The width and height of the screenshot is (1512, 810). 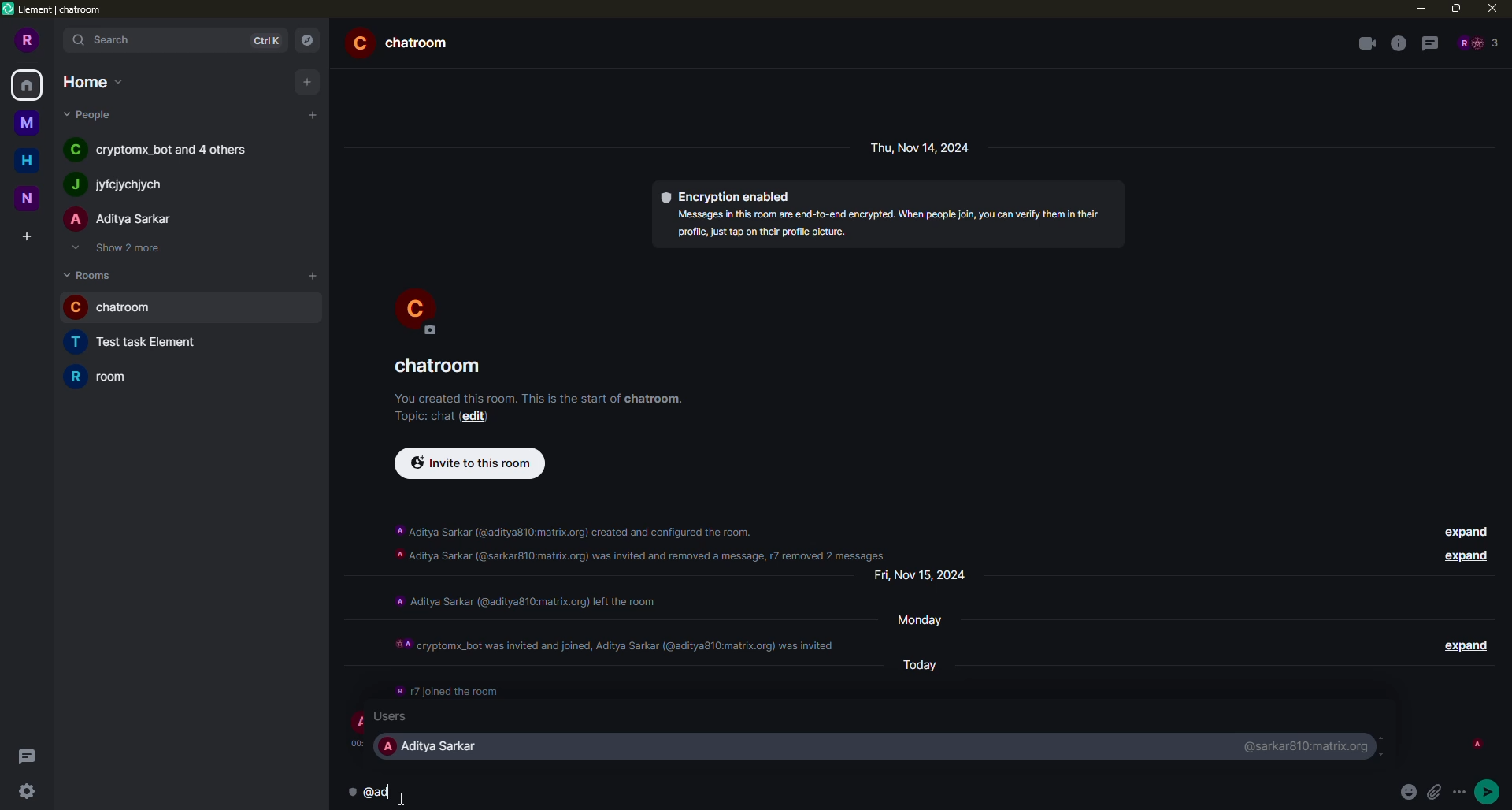 I want to click on day, so click(x=928, y=619).